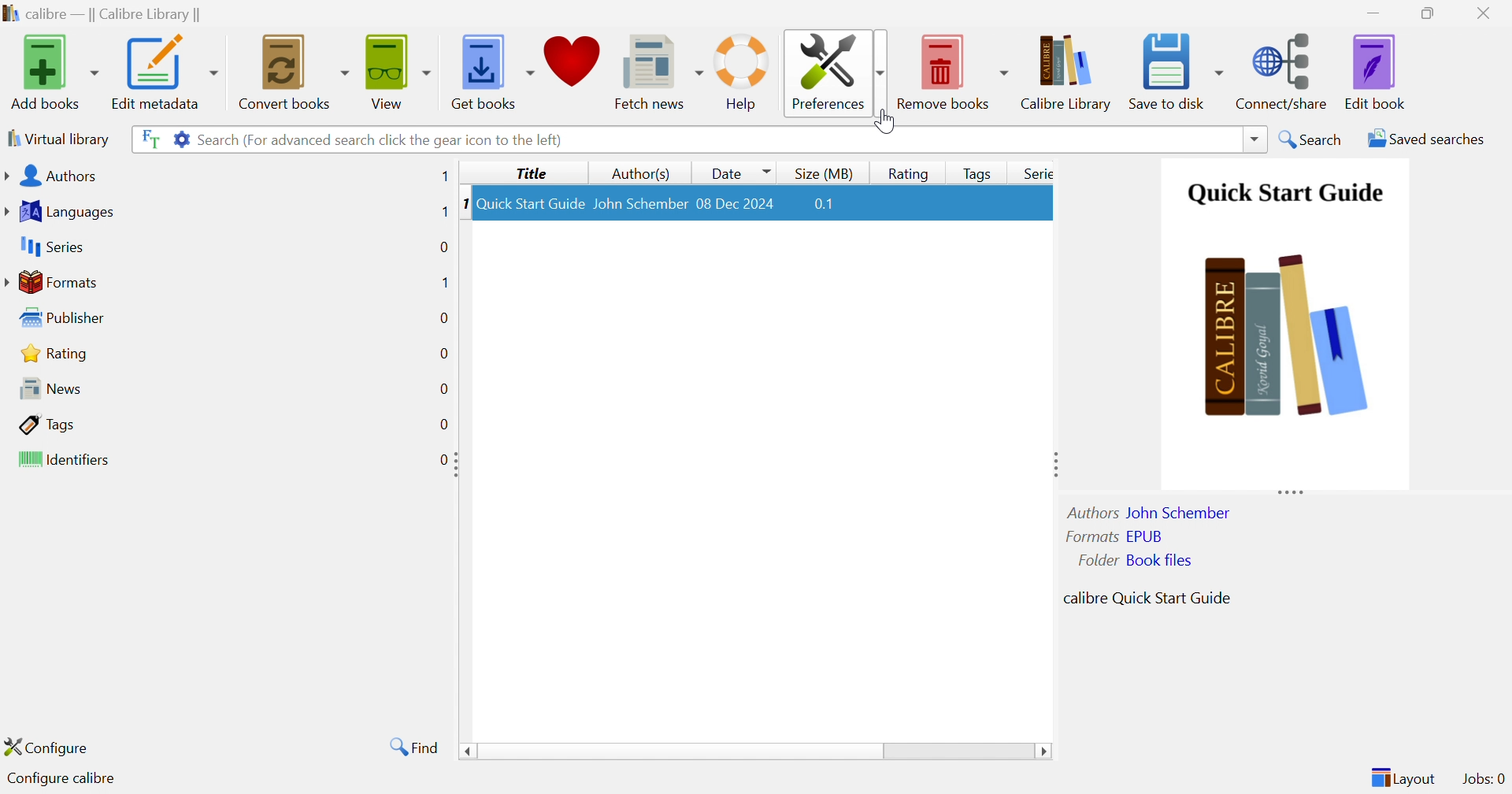 This screenshot has height=794, width=1512. I want to click on Restore Down, so click(1432, 14).